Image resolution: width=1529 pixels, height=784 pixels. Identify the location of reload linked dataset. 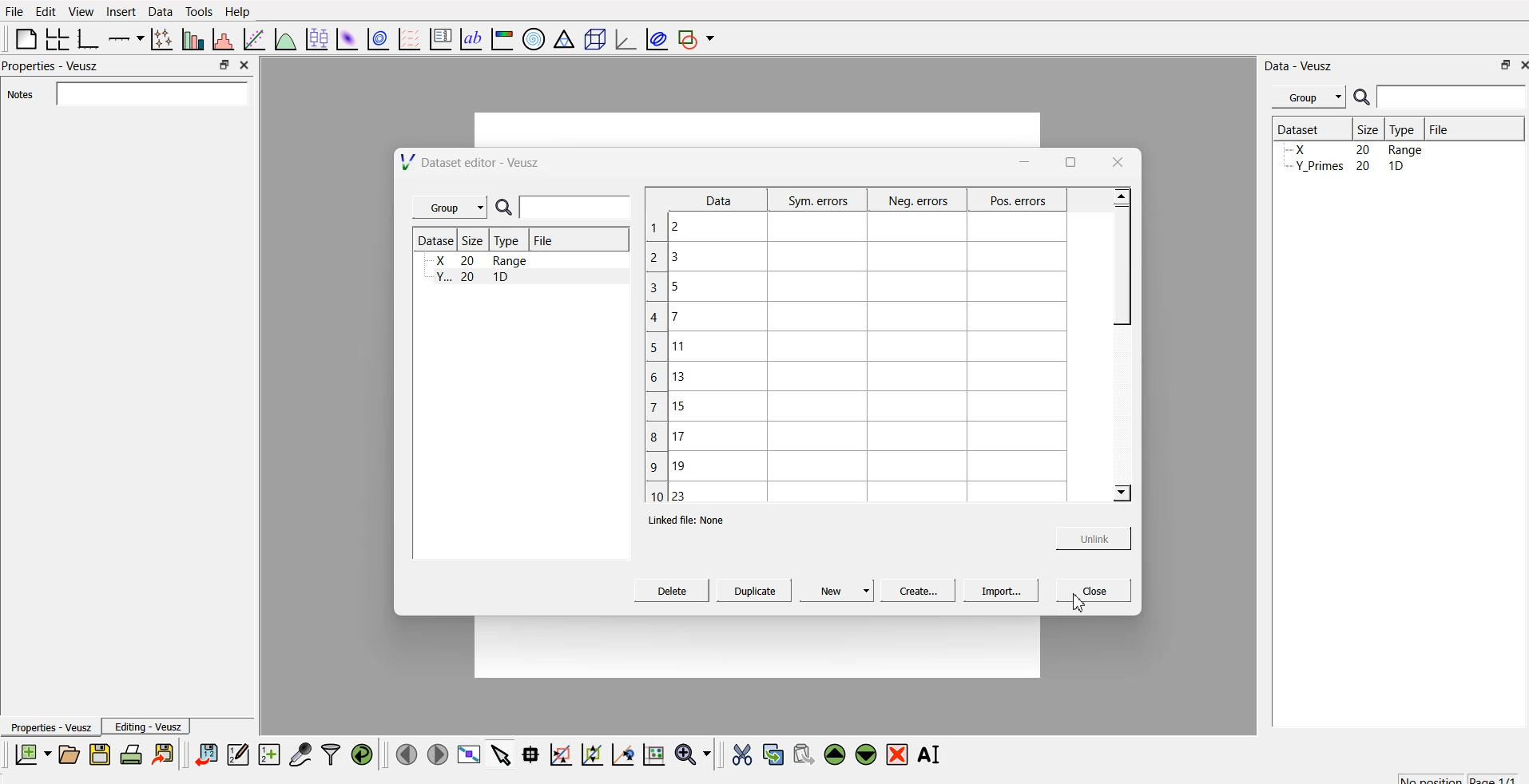
(362, 752).